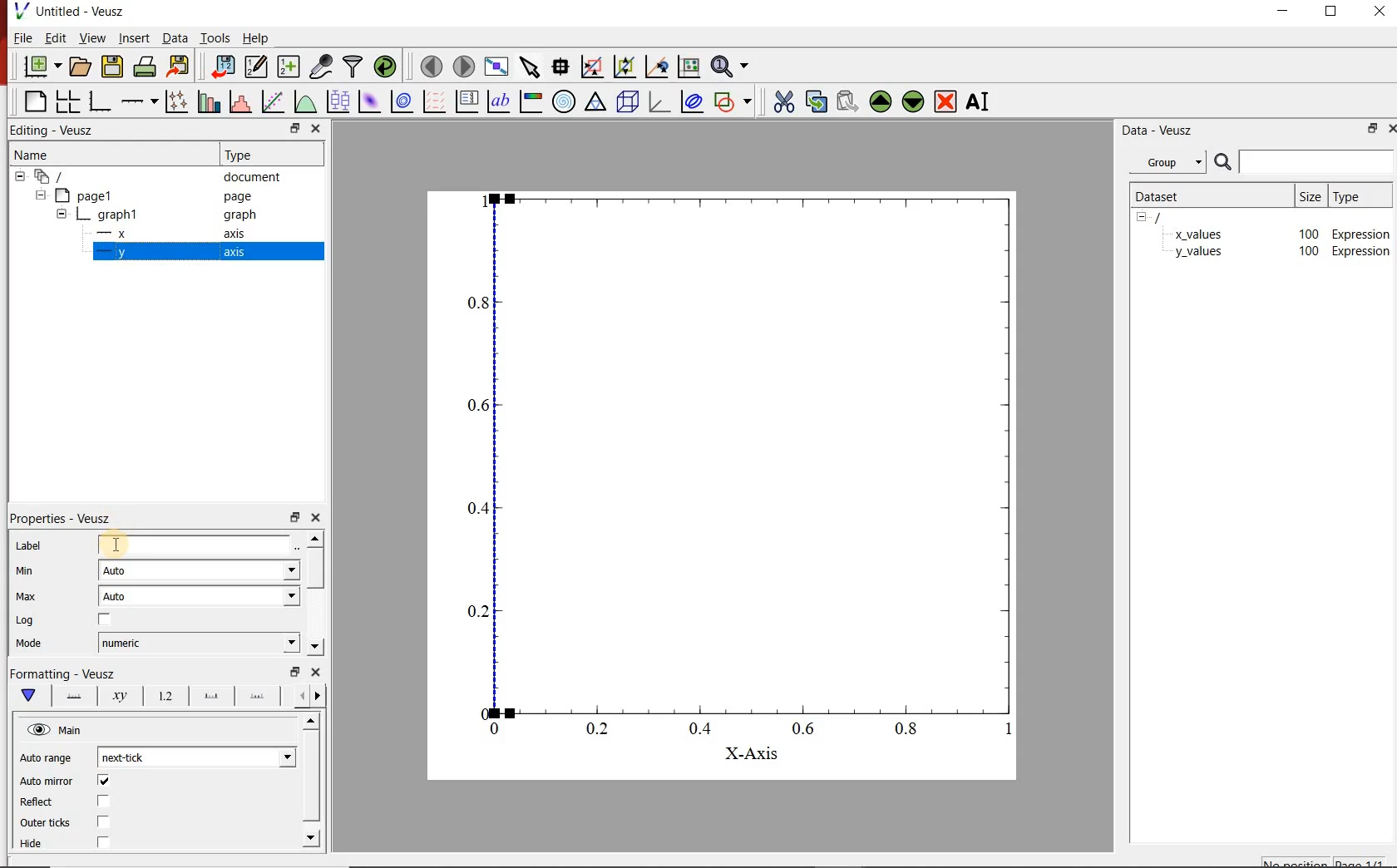 This screenshot has height=868, width=1397. I want to click on edit , so click(57, 37).